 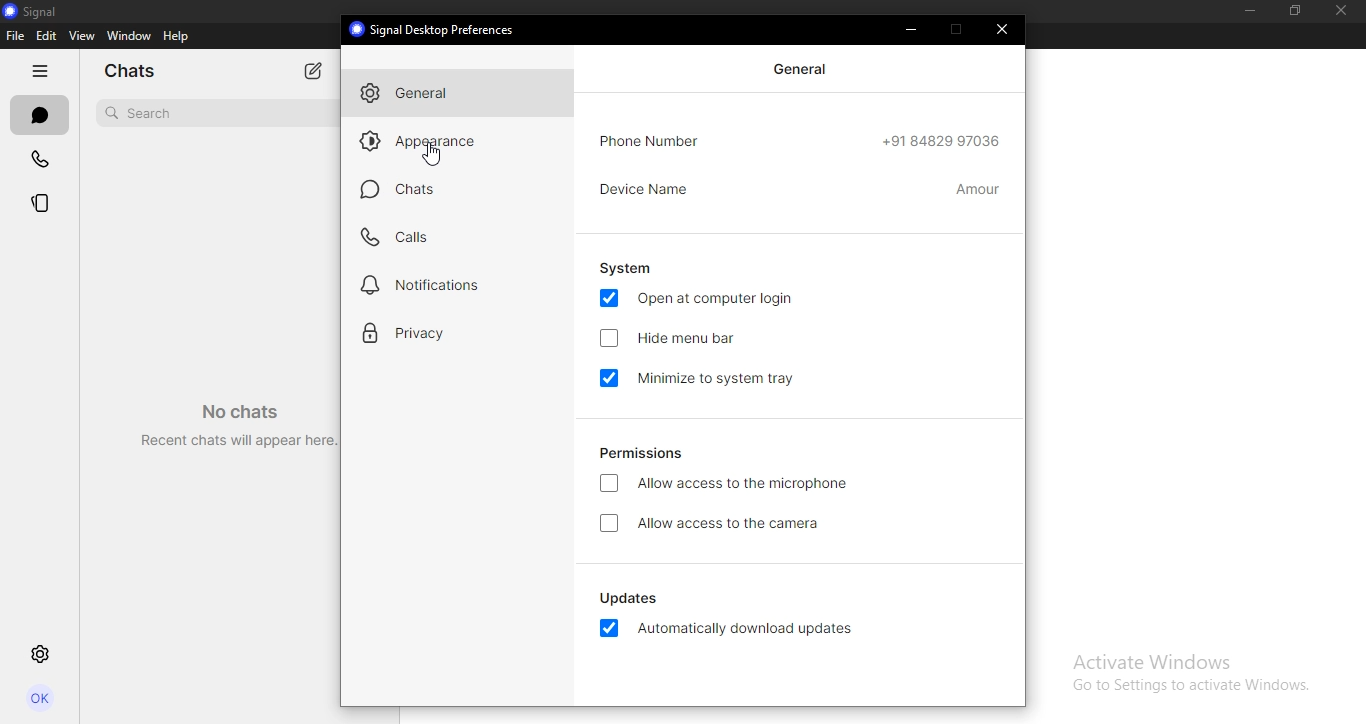 What do you see at coordinates (142, 111) in the screenshot?
I see `search` at bounding box center [142, 111].